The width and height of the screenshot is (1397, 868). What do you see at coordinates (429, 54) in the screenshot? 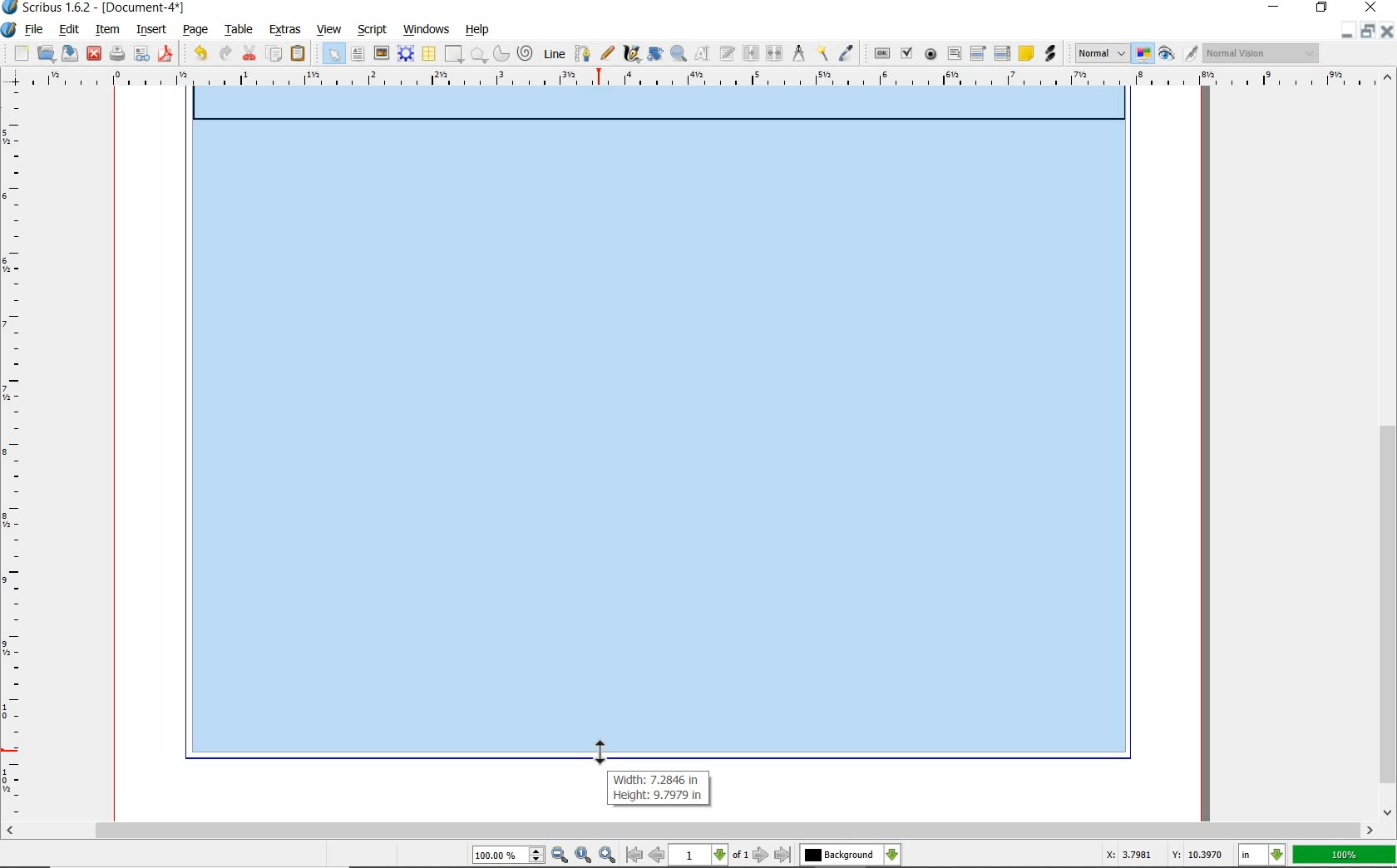
I see `table` at bounding box center [429, 54].